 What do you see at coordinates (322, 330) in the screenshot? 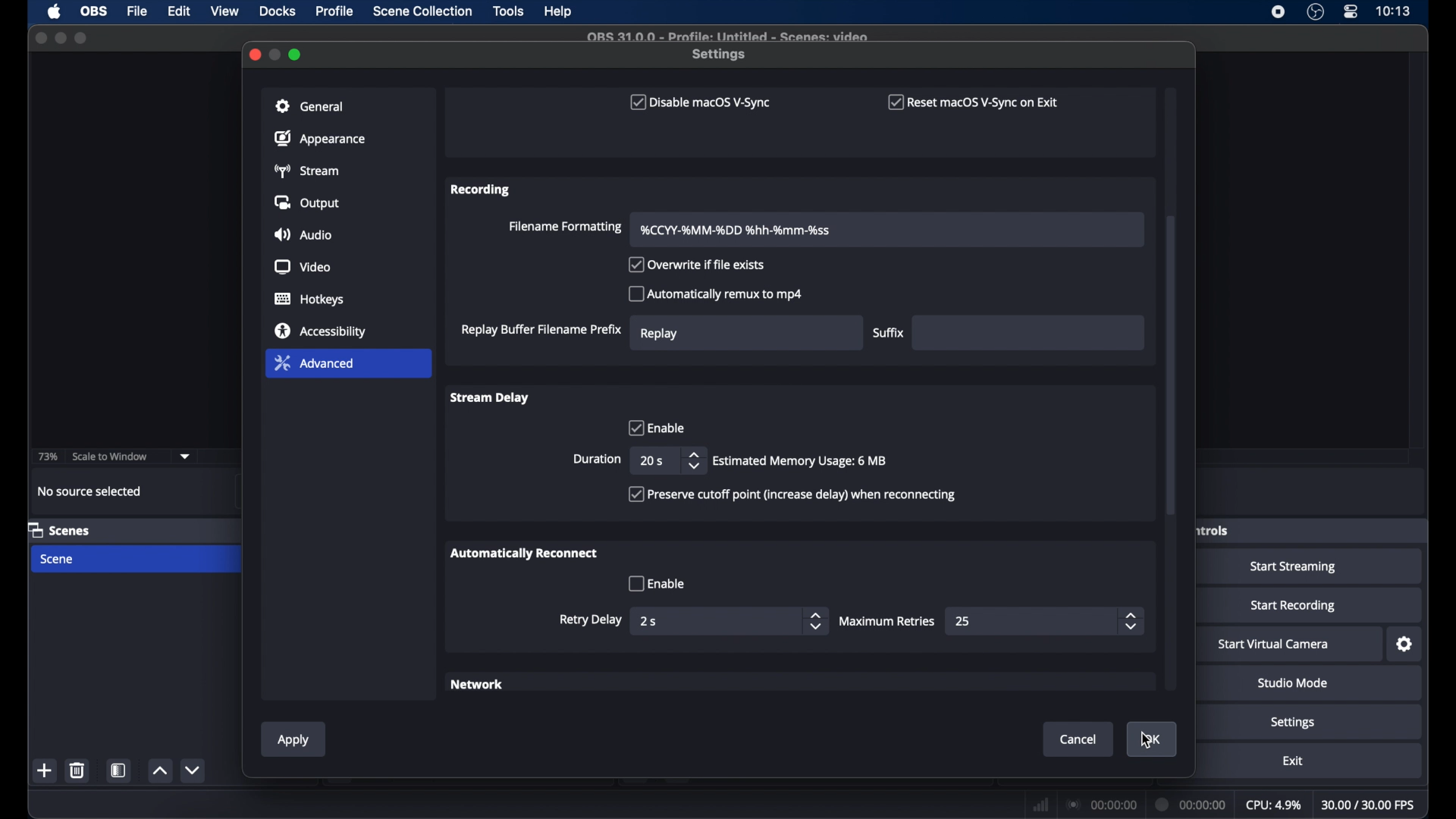
I see `accessibility ` at bounding box center [322, 330].